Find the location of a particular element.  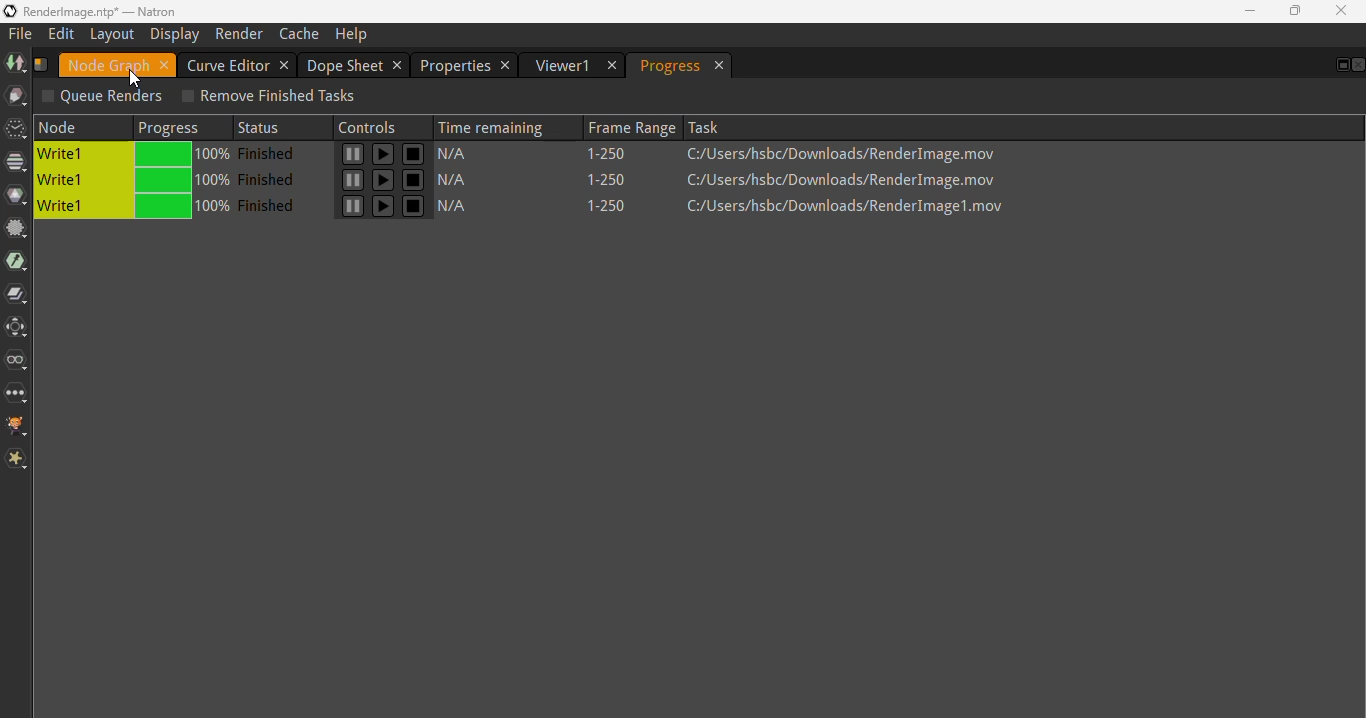

controls is located at coordinates (373, 125).